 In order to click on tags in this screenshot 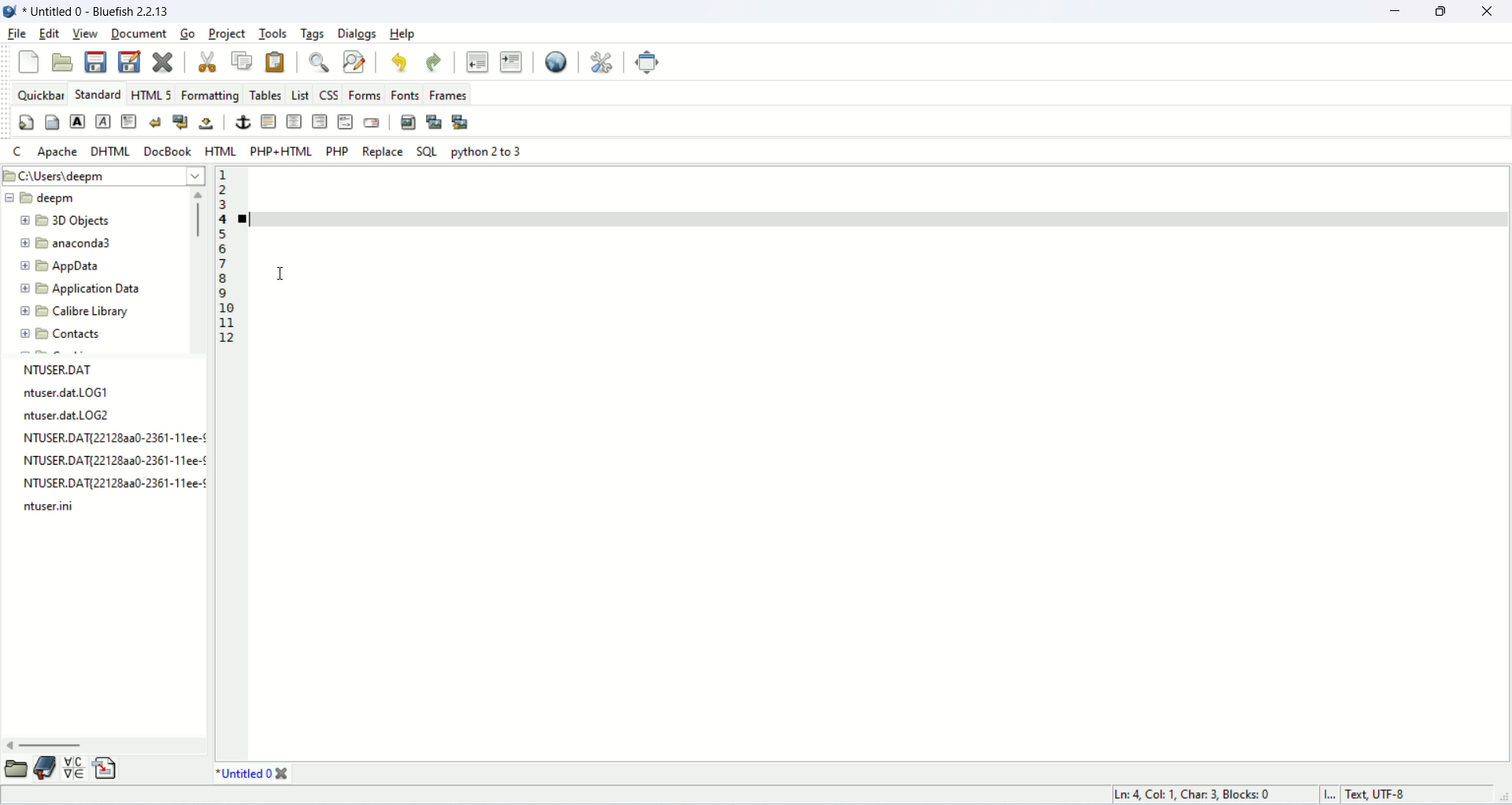, I will do `click(313, 34)`.